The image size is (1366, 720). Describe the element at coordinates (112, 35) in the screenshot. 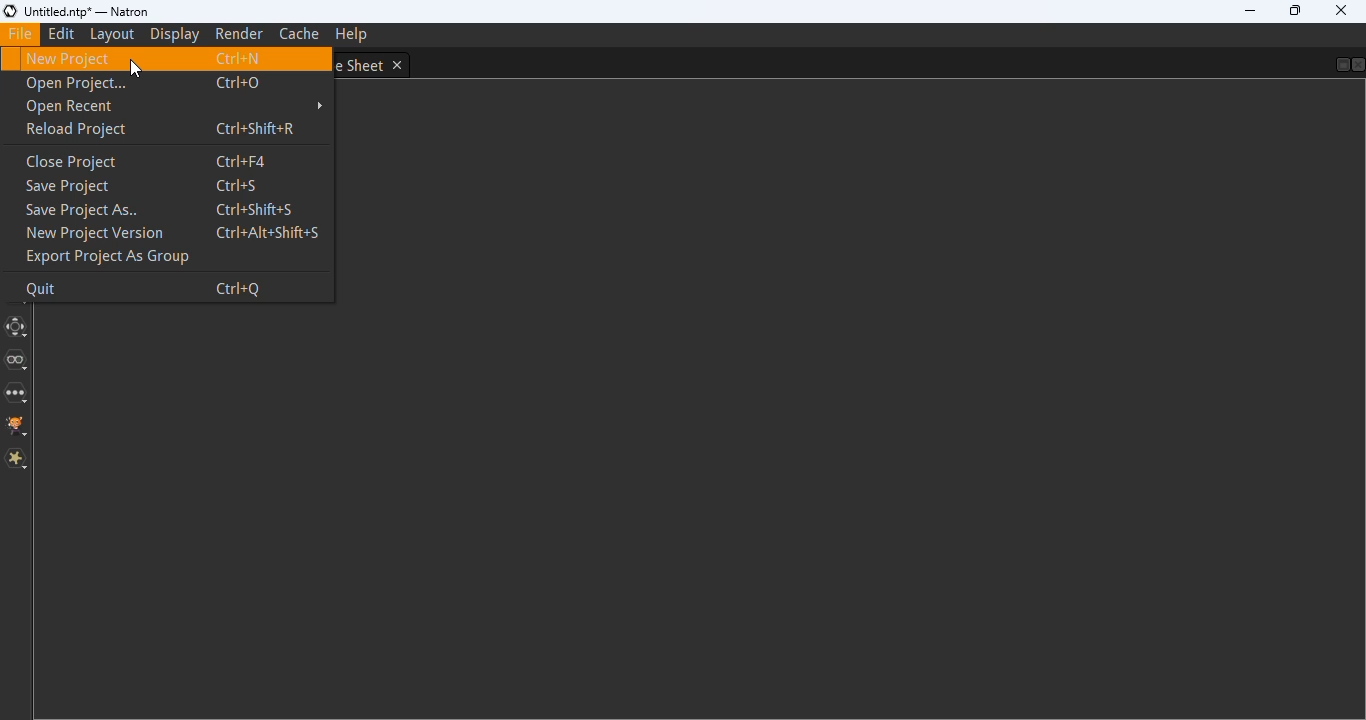

I see `layout` at that location.